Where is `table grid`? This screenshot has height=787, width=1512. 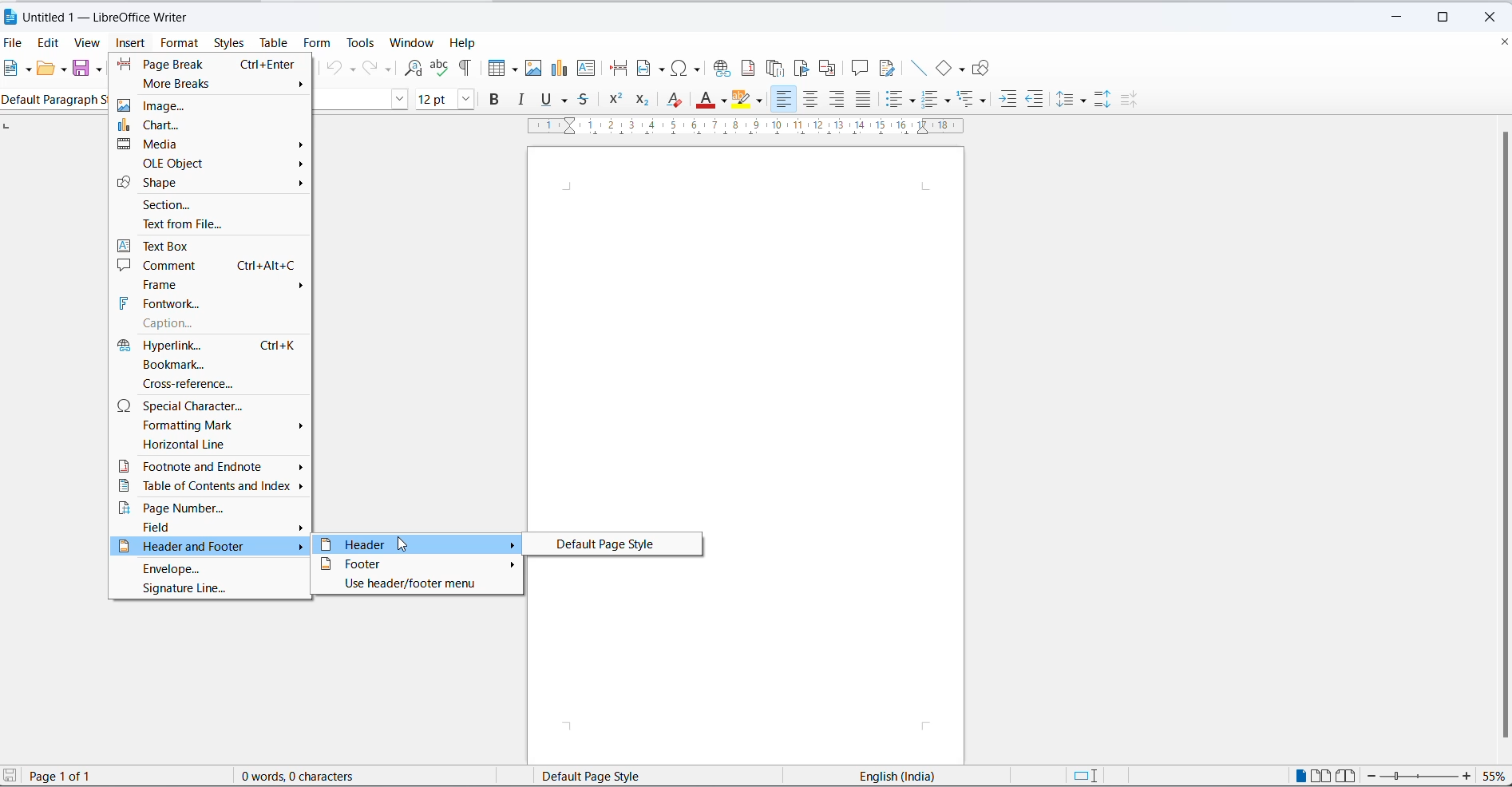 table grid is located at coordinates (513, 69).